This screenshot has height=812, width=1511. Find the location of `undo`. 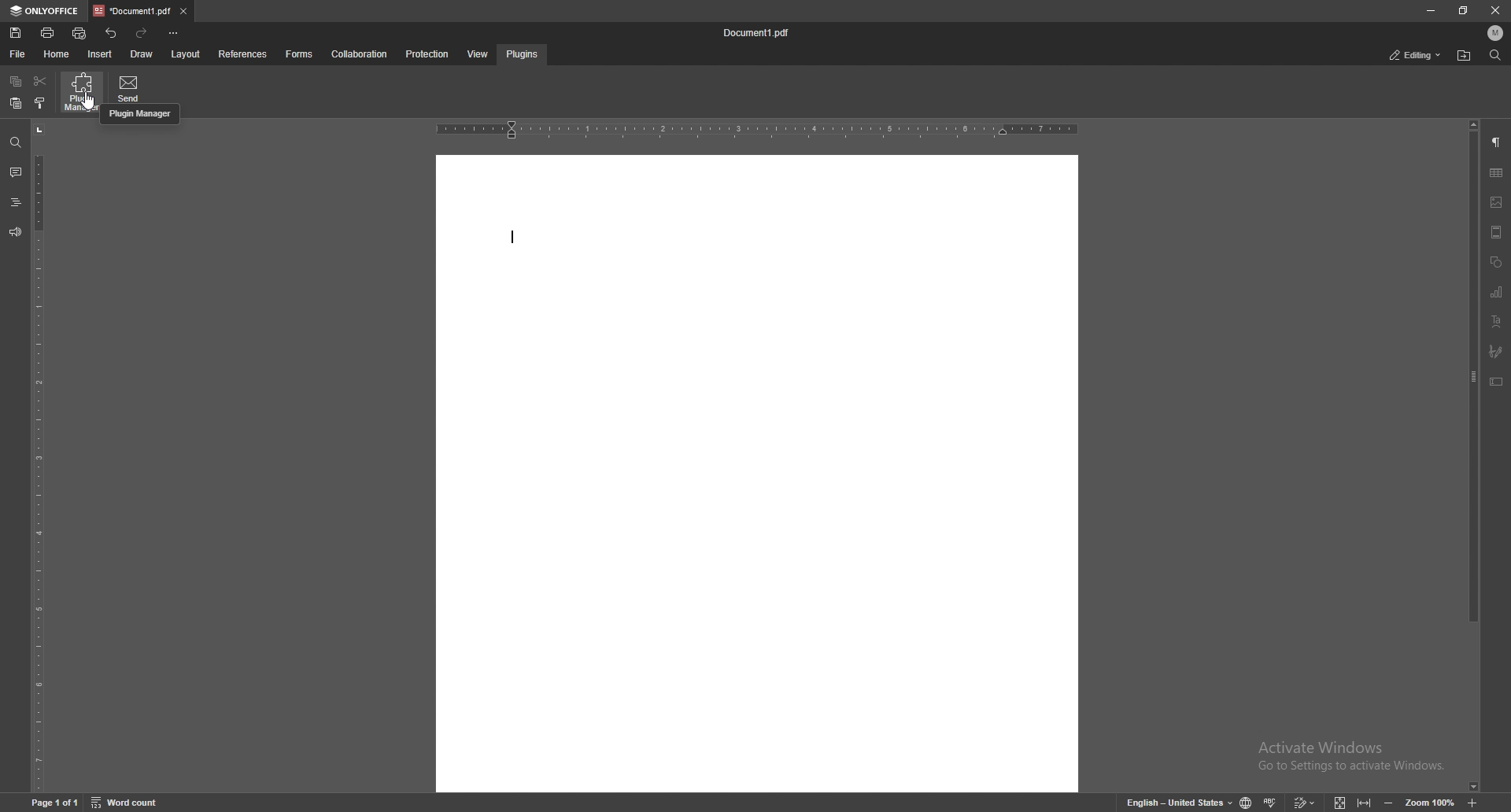

undo is located at coordinates (113, 32).